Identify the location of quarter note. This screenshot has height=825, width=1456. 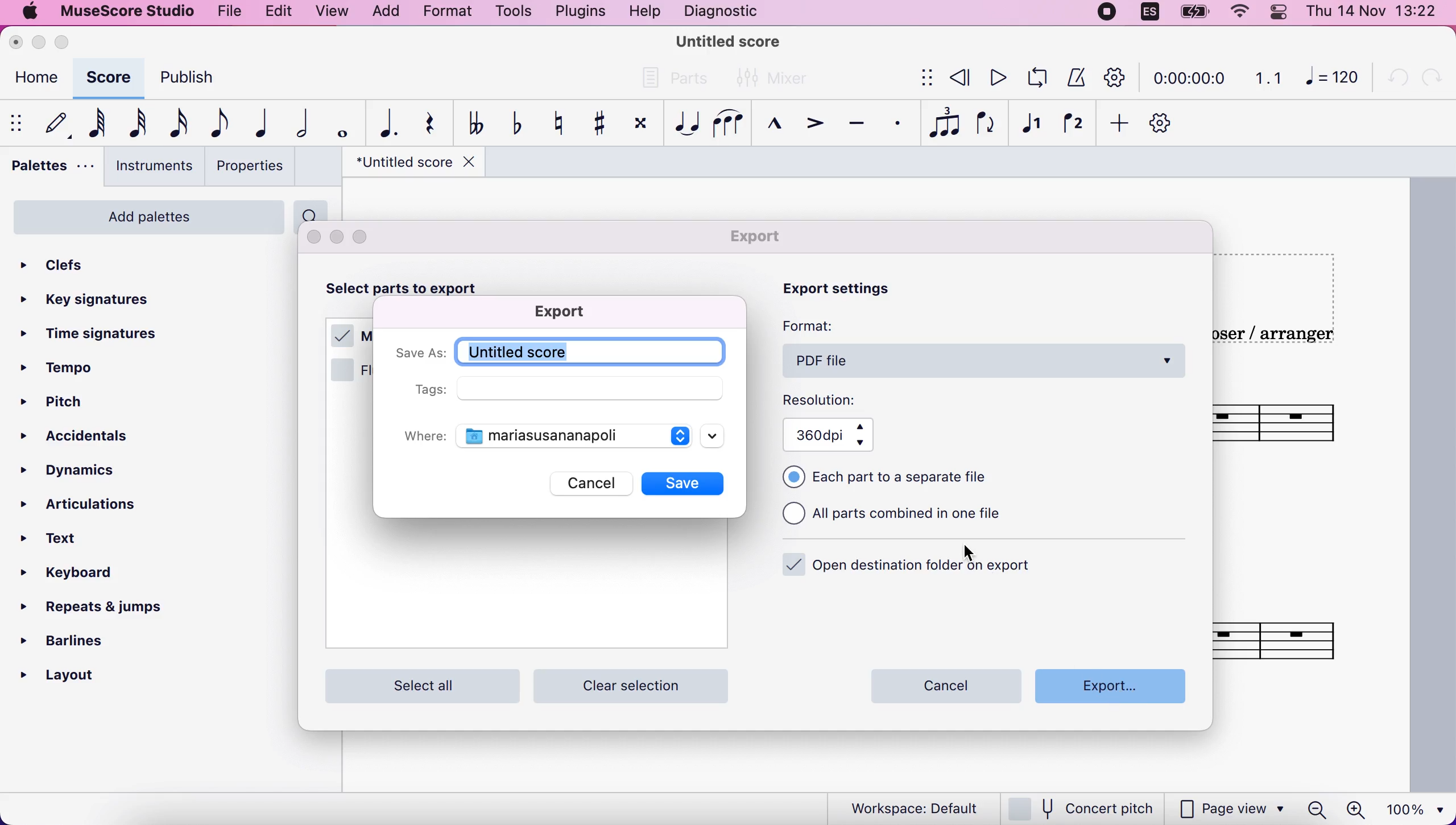
(262, 125).